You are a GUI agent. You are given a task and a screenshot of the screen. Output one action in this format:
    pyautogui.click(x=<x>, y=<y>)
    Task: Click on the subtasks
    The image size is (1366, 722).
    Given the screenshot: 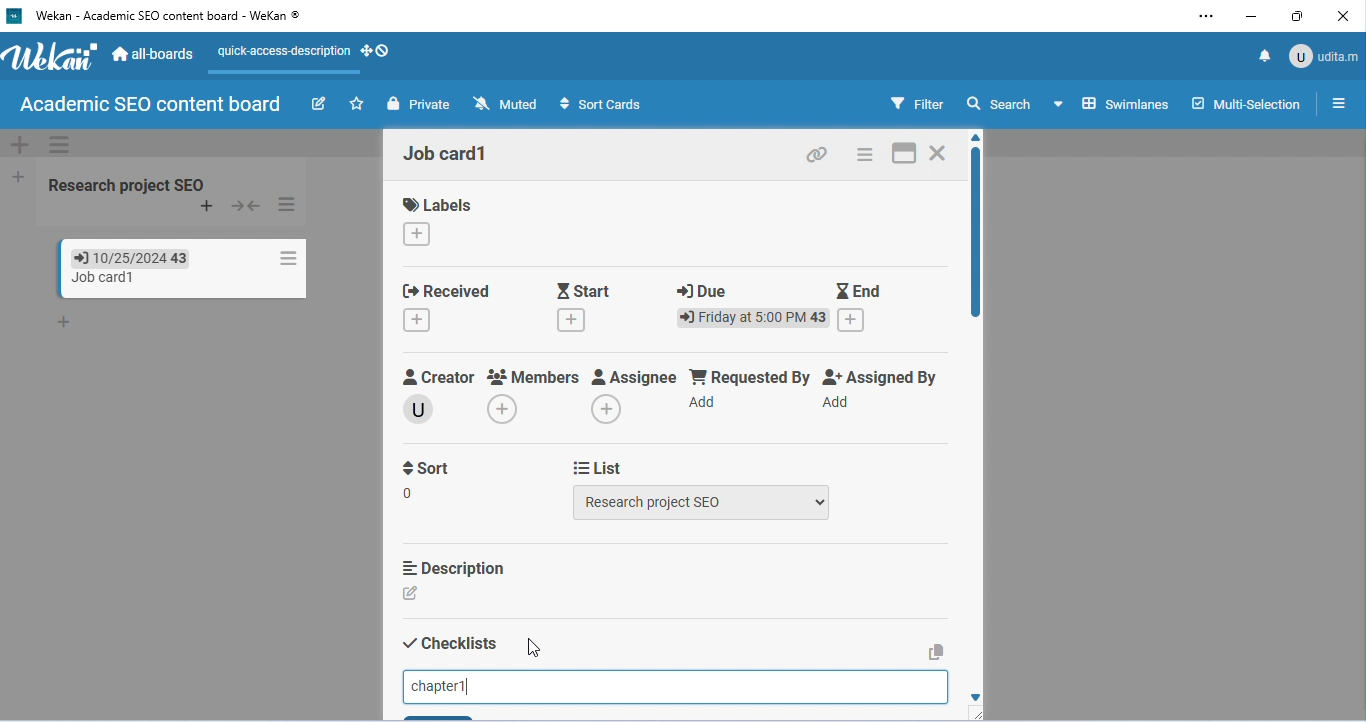 What is the action you would take?
    pyautogui.click(x=447, y=714)
    